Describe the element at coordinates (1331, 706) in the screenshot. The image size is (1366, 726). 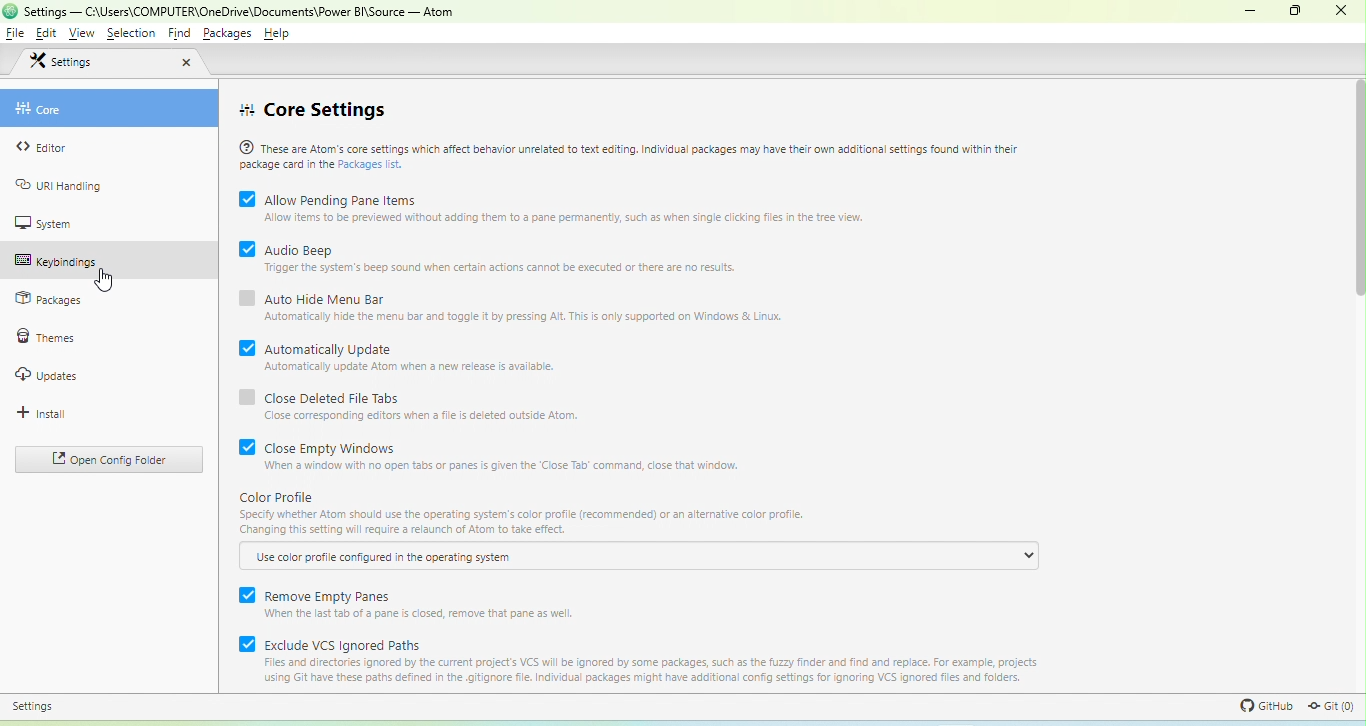
I see `git` at that location.